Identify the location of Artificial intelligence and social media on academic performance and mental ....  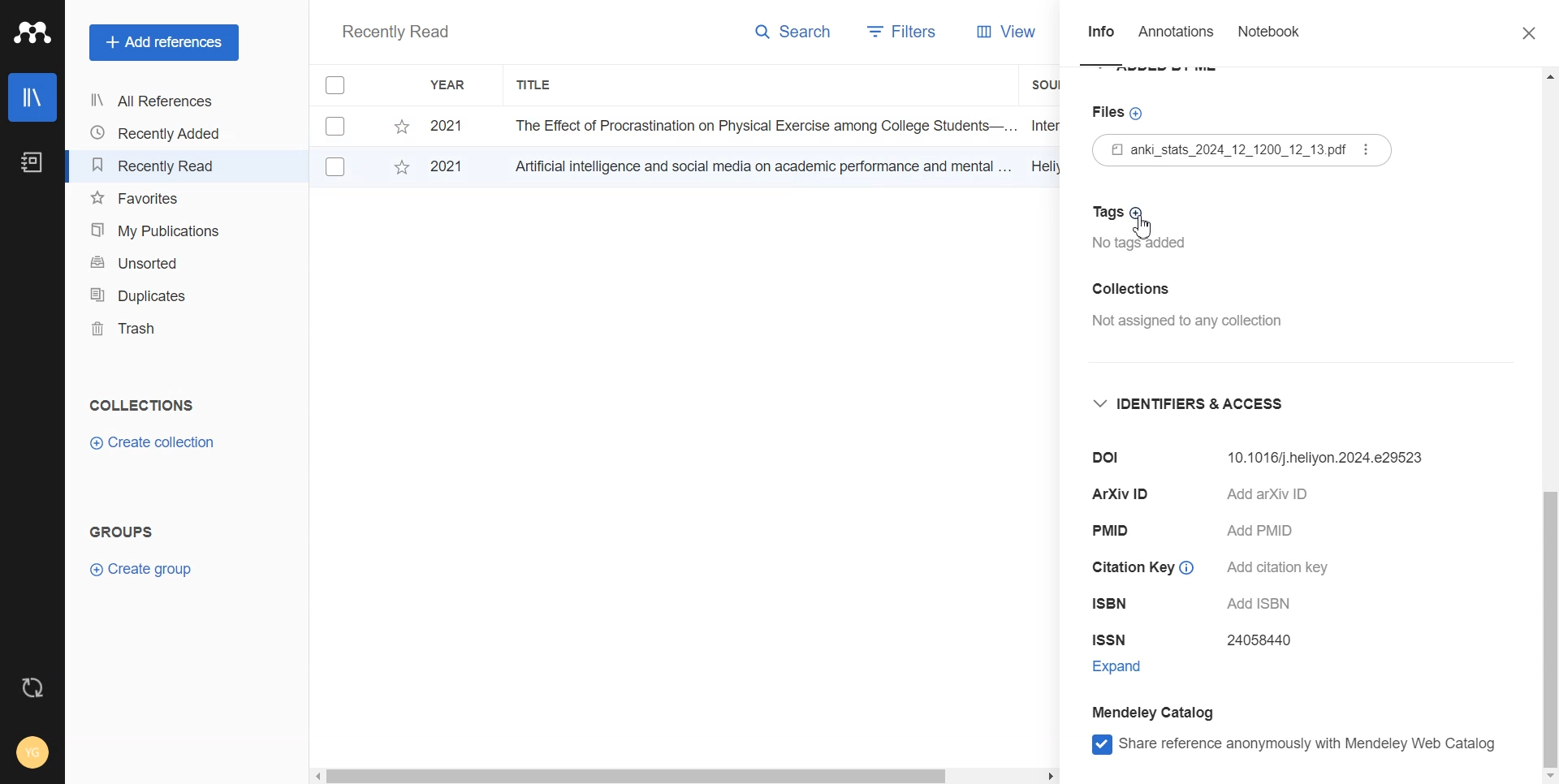
(760, 166).